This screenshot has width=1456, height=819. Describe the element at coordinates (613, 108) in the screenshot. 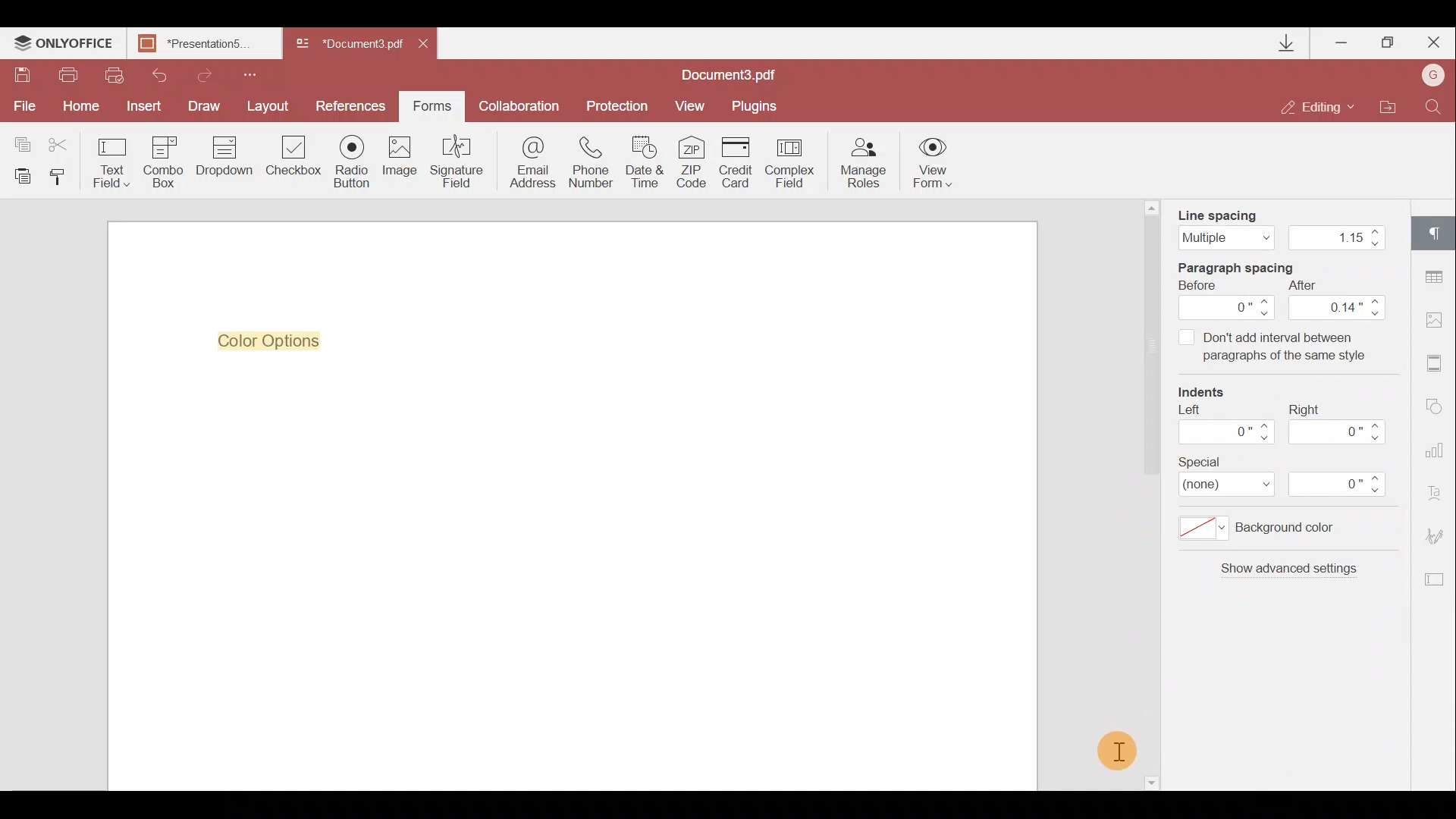

I see `Protection` at that location.